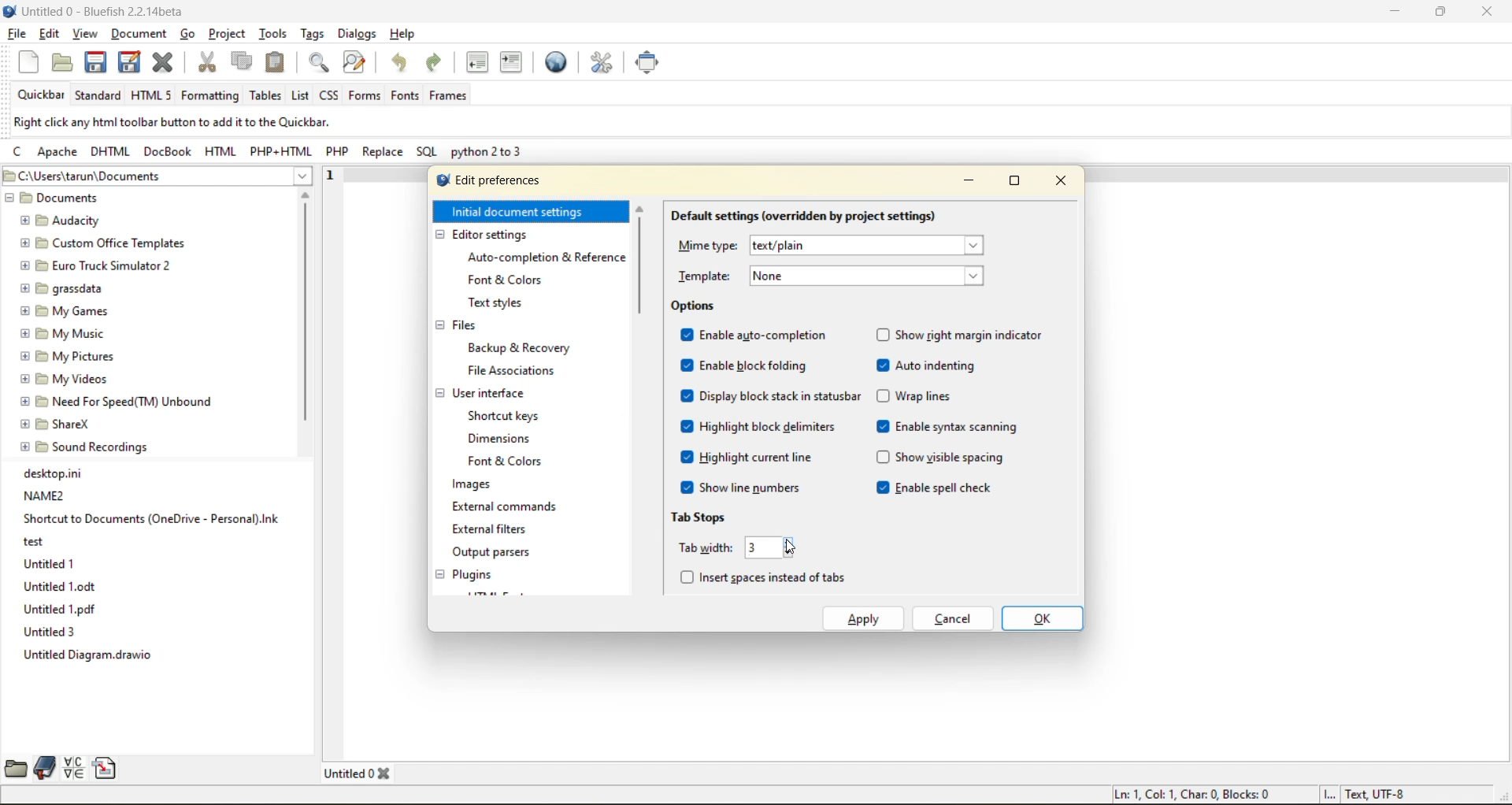  I want to click on desktop.ini, so click(57, 473).